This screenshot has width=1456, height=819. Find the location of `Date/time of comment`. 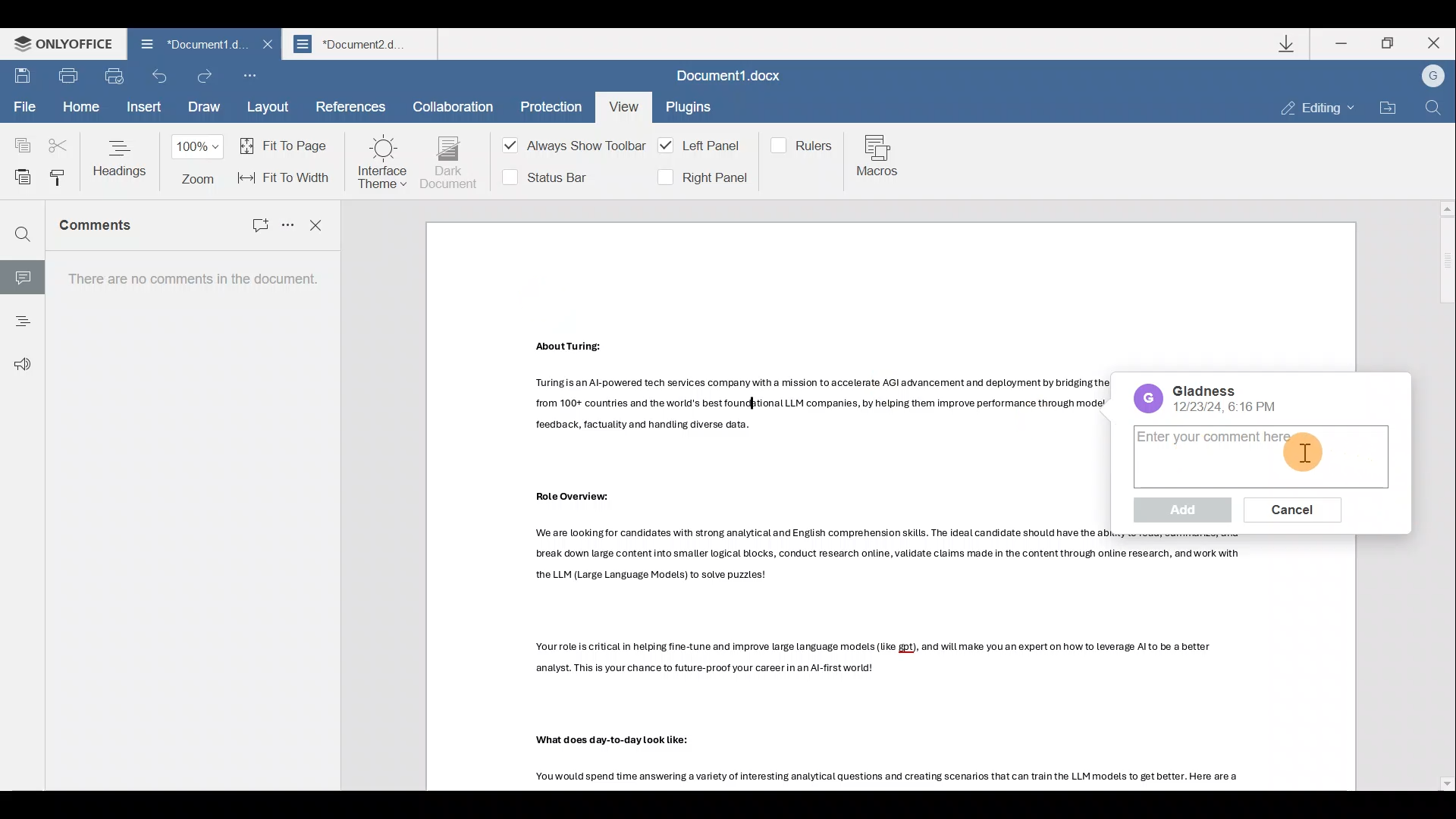

Date/time of comment is located at coordinates (1225, 398).